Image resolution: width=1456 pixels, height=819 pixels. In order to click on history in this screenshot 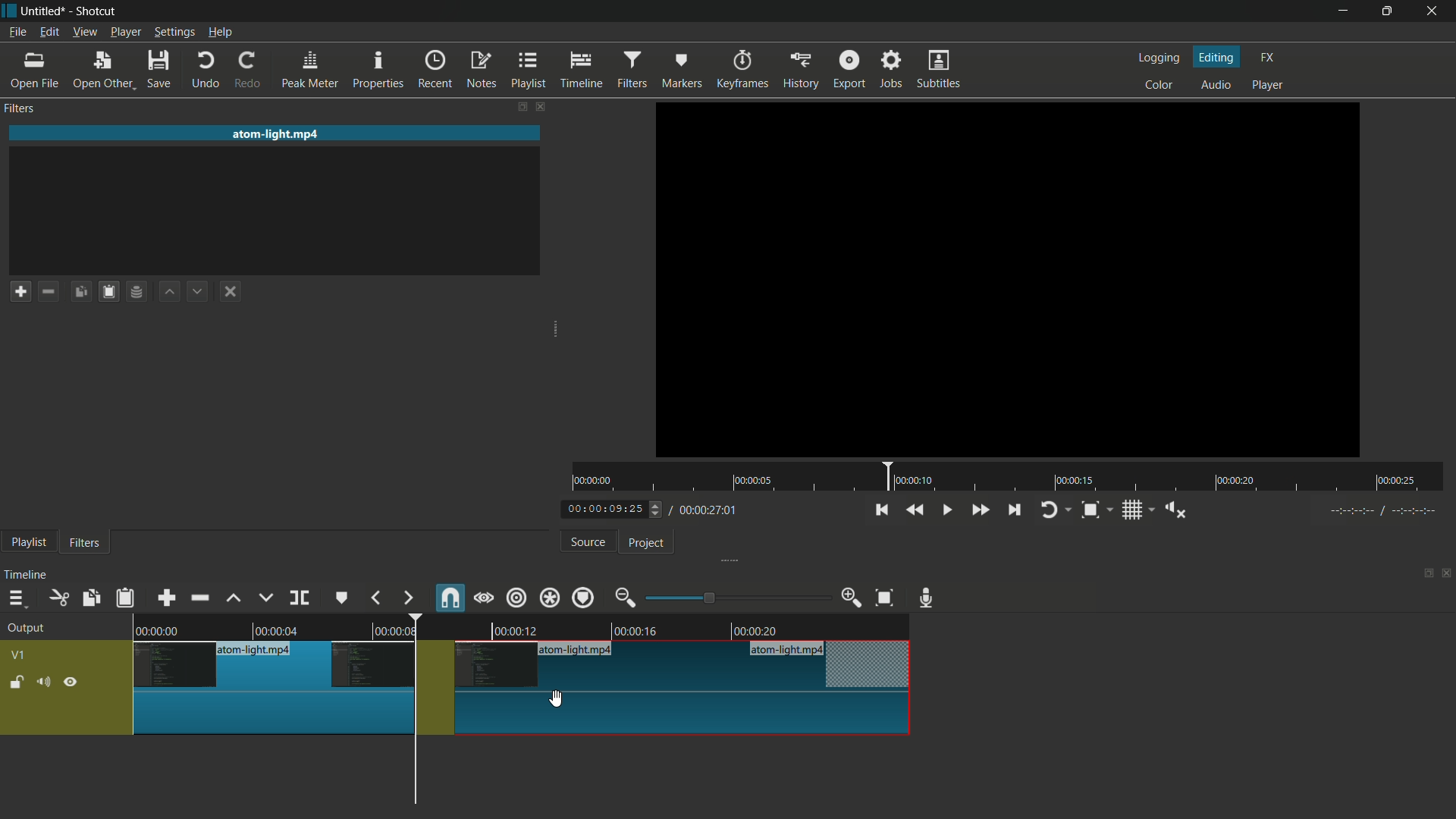, I will do `click(799, 71)`.